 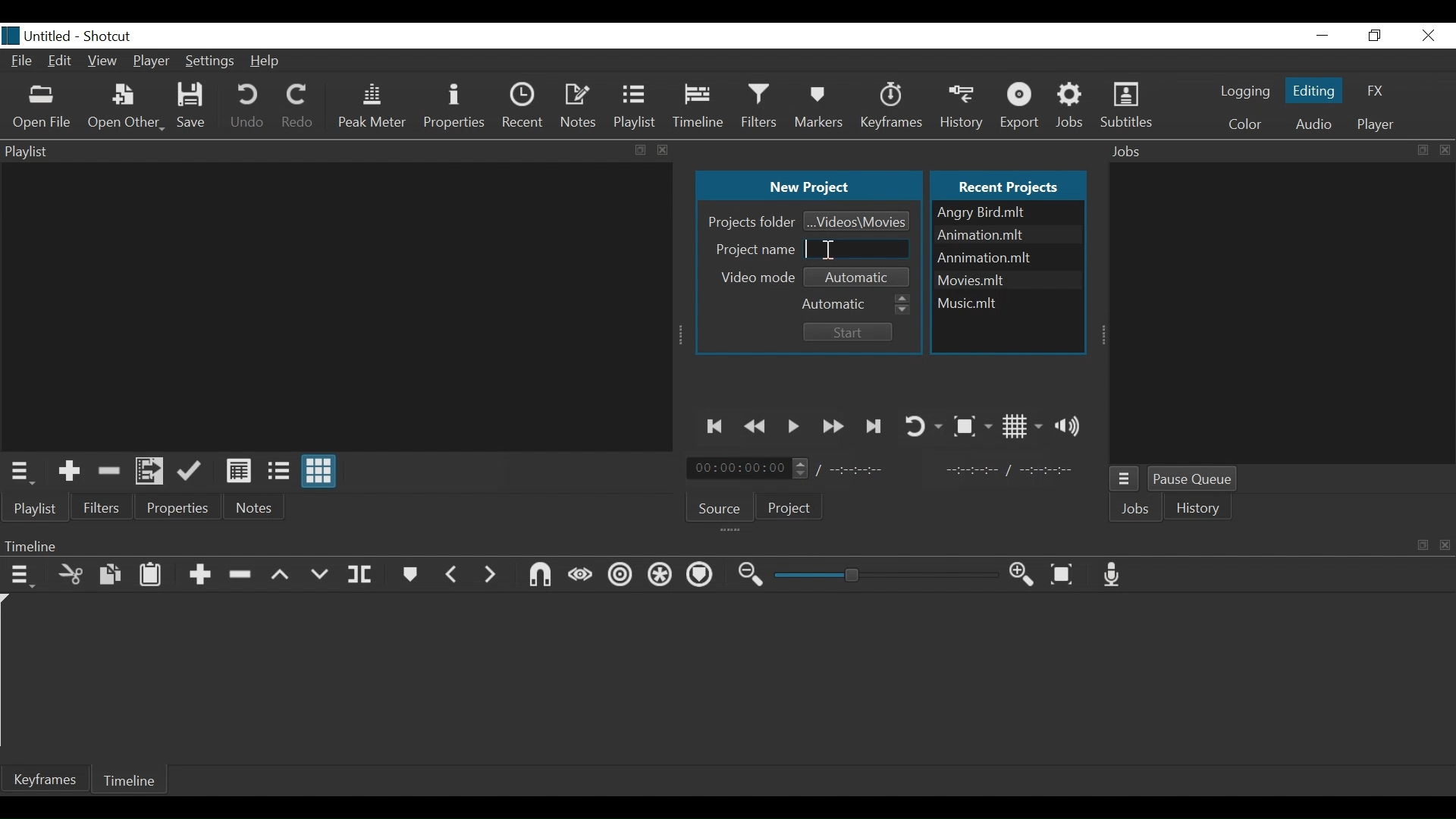 I want to click on Record audio, so click(x=1116, y=575).